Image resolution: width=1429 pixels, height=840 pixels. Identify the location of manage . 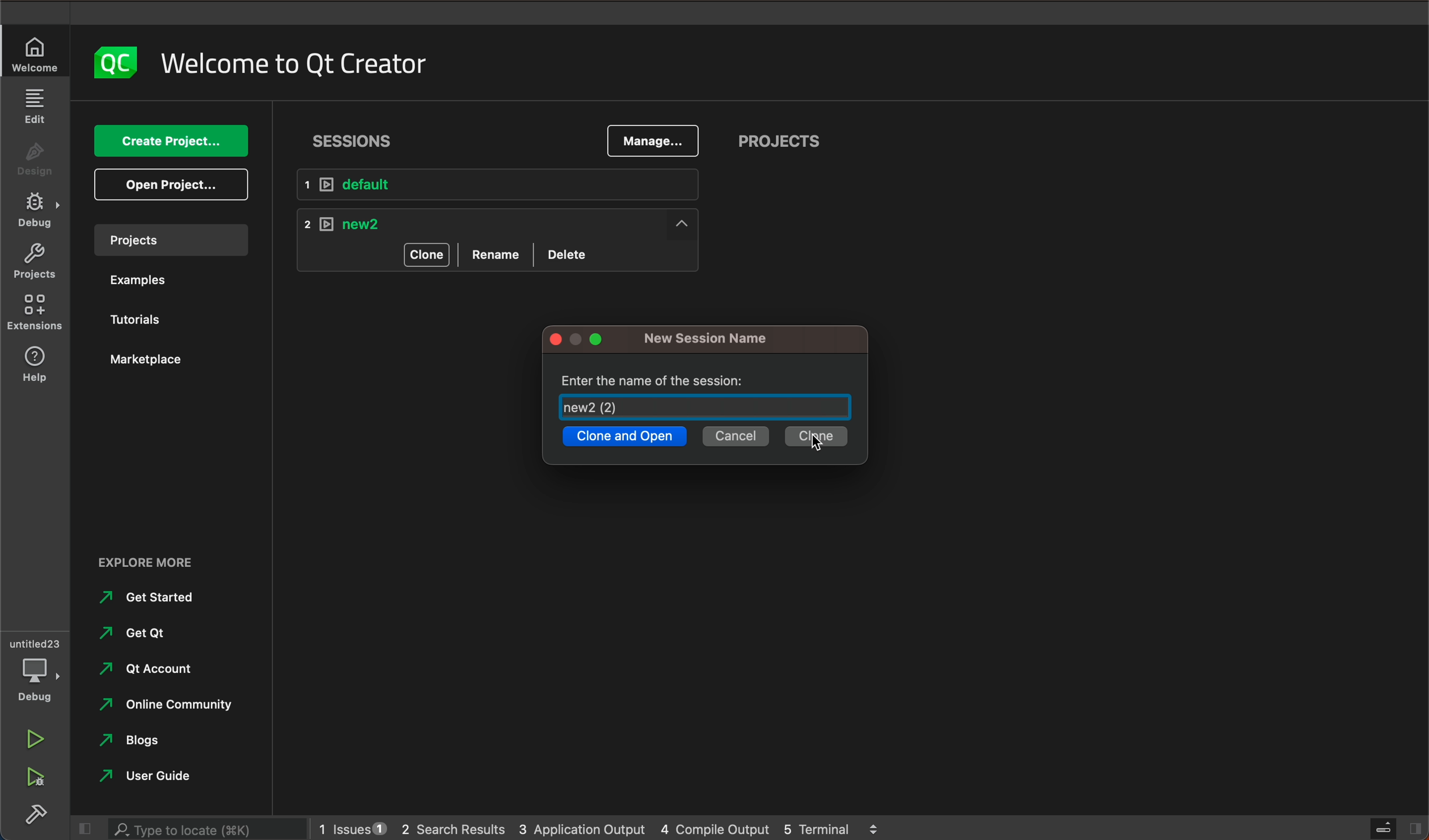
(653, 141).